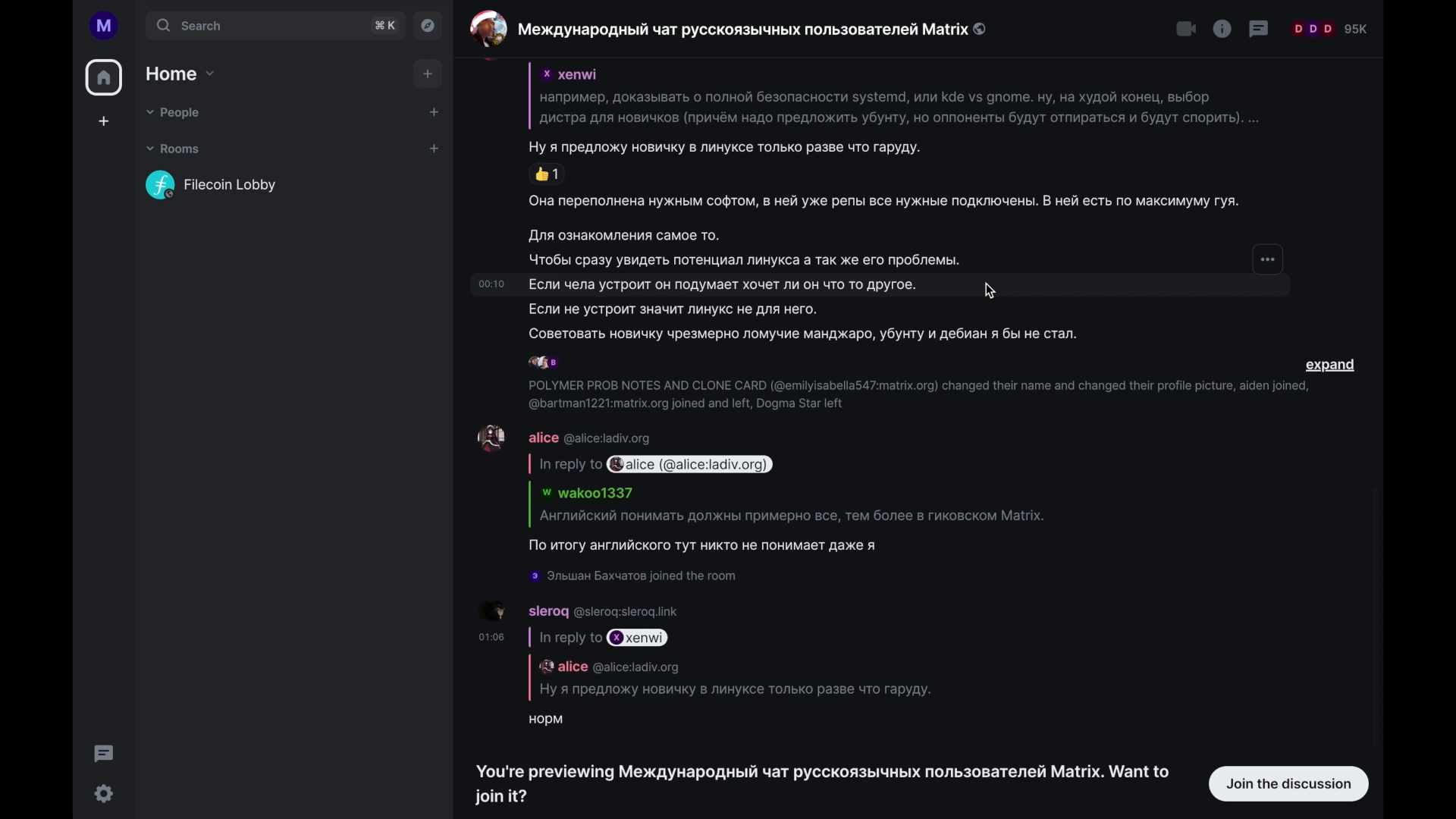 The width and height of the screenshot is (1456, 819). I want to click on search shortcut, so click(384, 26).